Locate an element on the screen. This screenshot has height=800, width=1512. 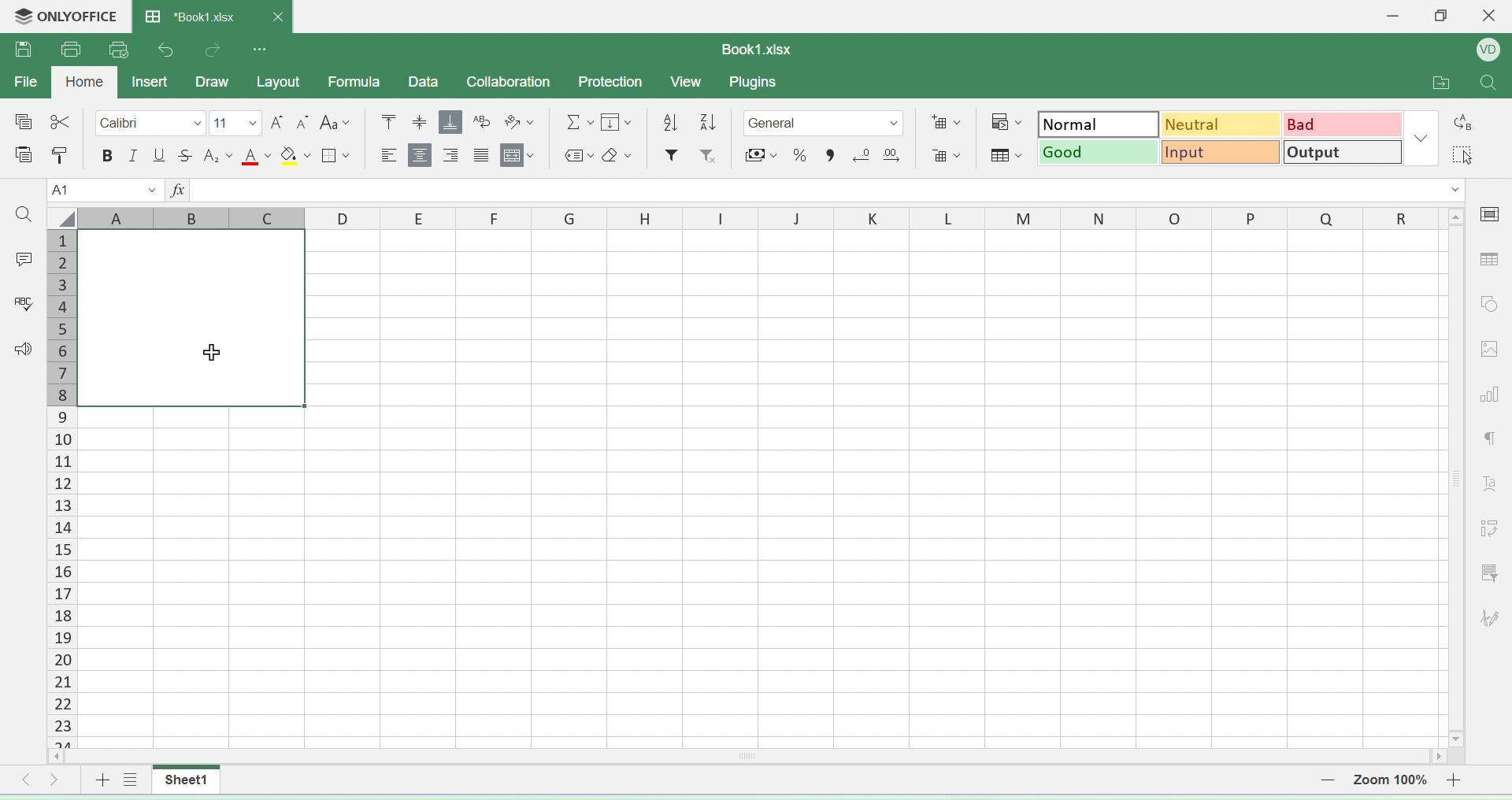
announcement is located at coordinates (22, 350).